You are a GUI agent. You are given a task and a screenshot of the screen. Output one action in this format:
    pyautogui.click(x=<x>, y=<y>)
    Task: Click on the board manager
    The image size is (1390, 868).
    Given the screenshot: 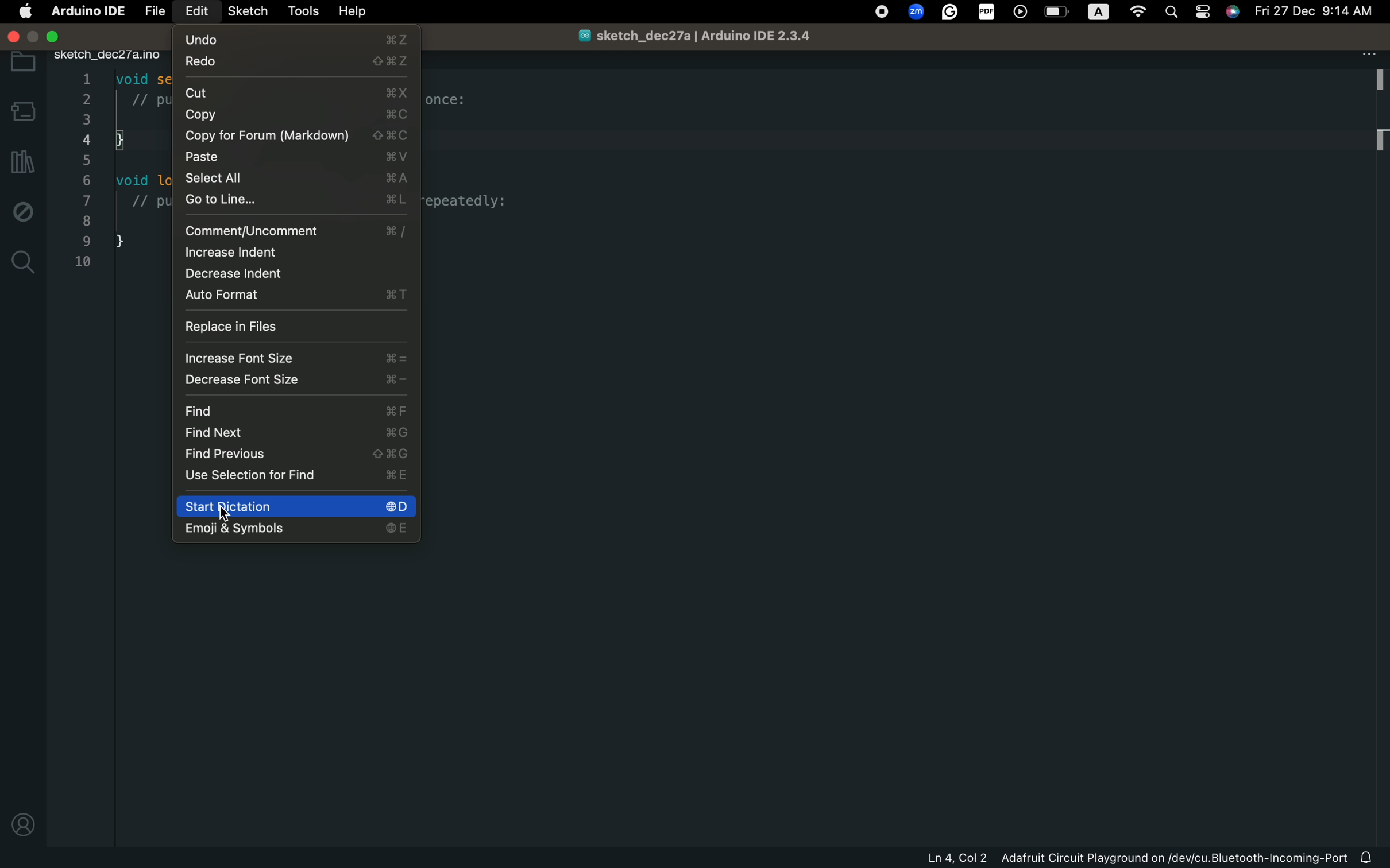 What is the action you would take?
    pyautogui.click(x=22, y=111)
    